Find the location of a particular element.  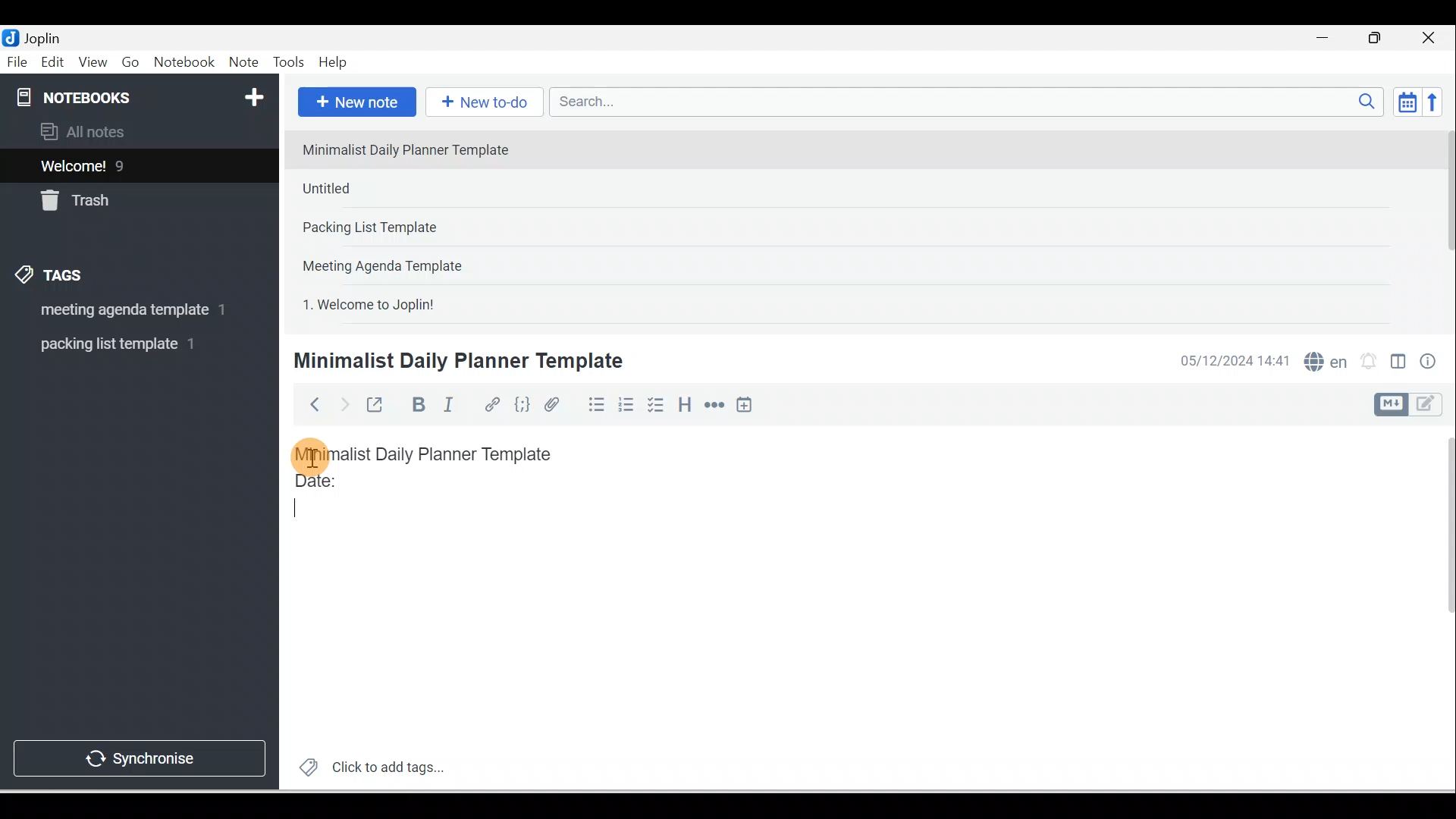

Note 2 is located at coordinates (401, 188).